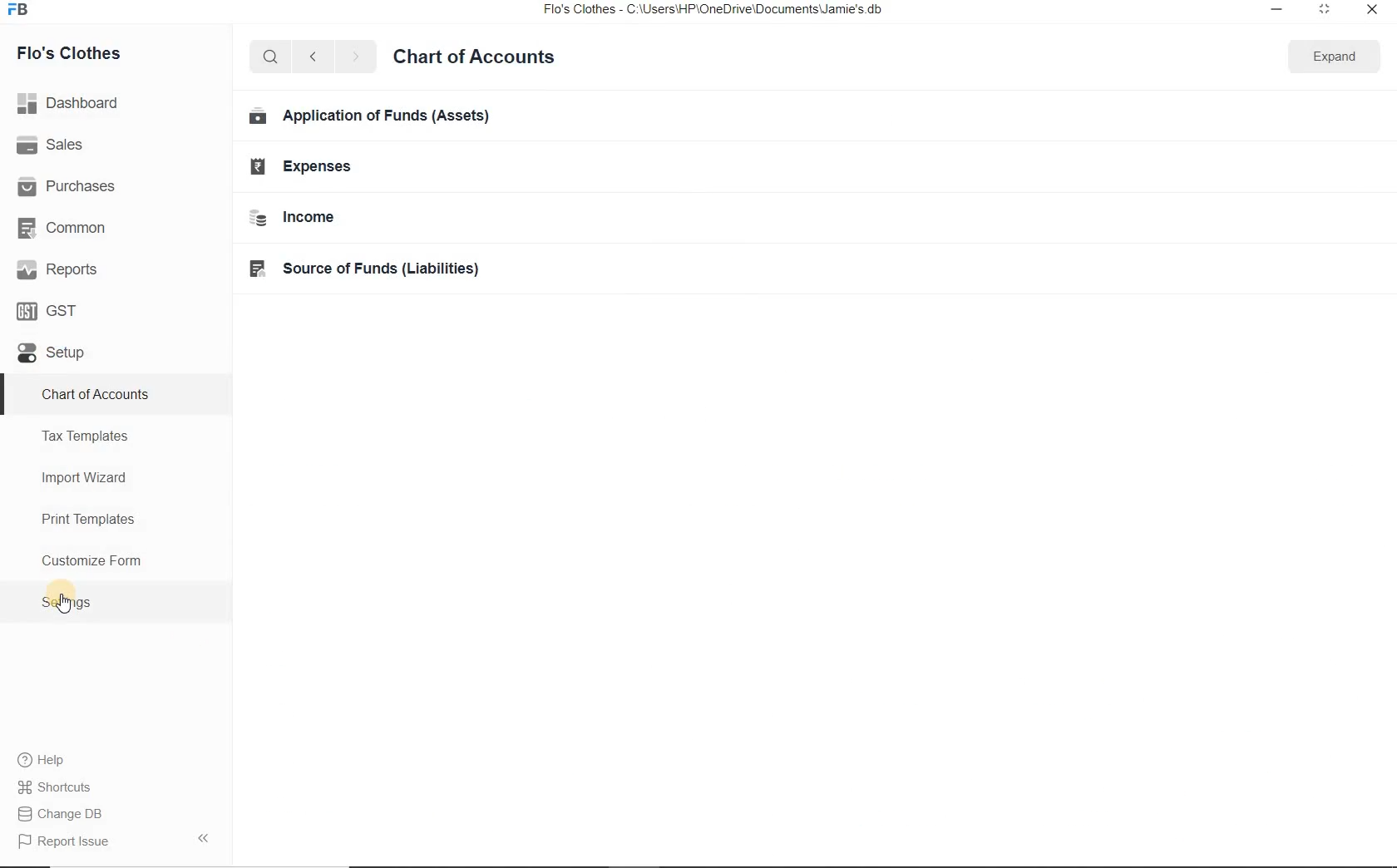  I want to click on Application of Funds (Assets), so click(371, 116).